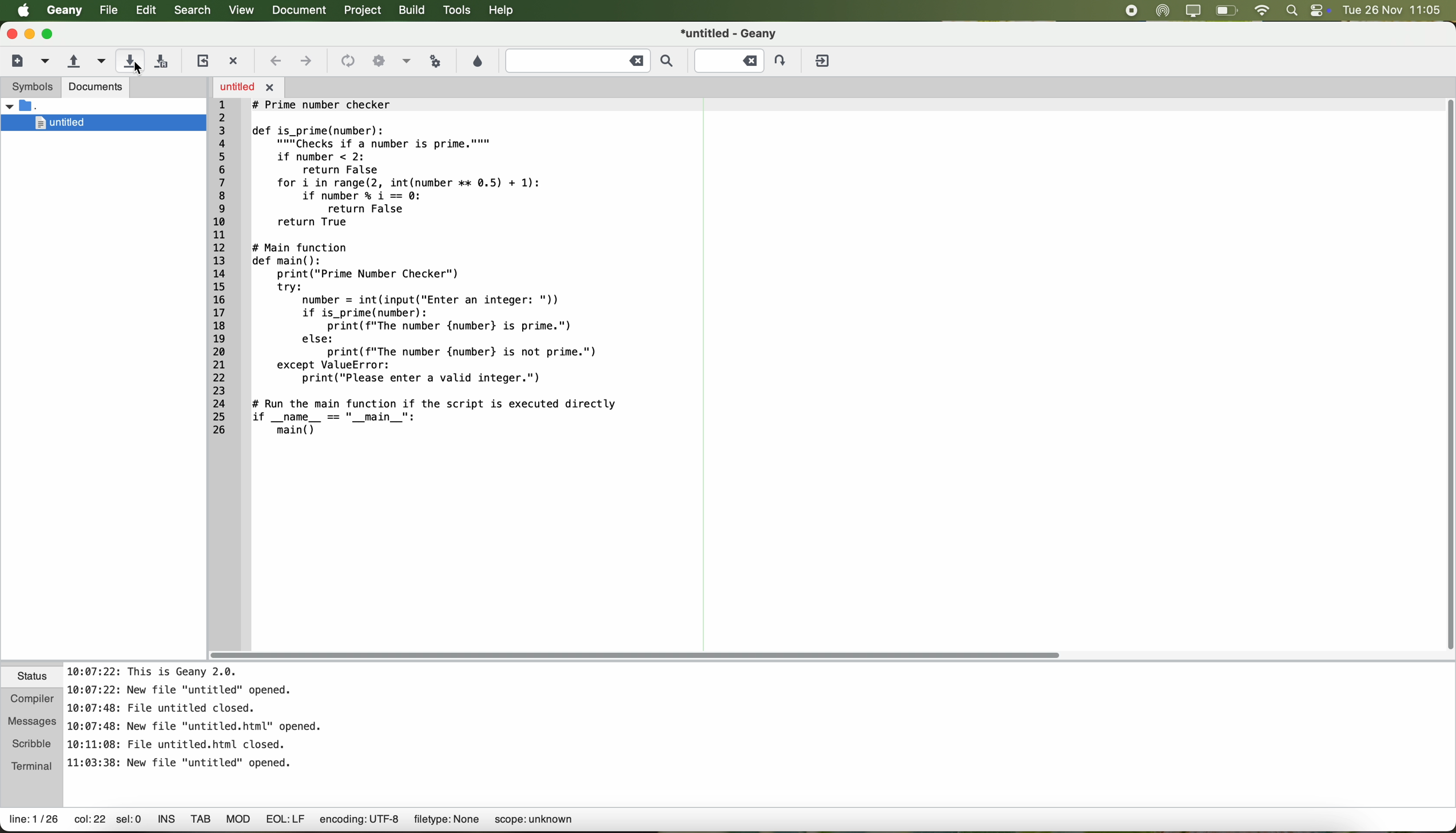 The image size is (1456, 833). What do you see at coordinates (106, 10) in the screenshot?
I see `file` at bounding box center [106, 10].